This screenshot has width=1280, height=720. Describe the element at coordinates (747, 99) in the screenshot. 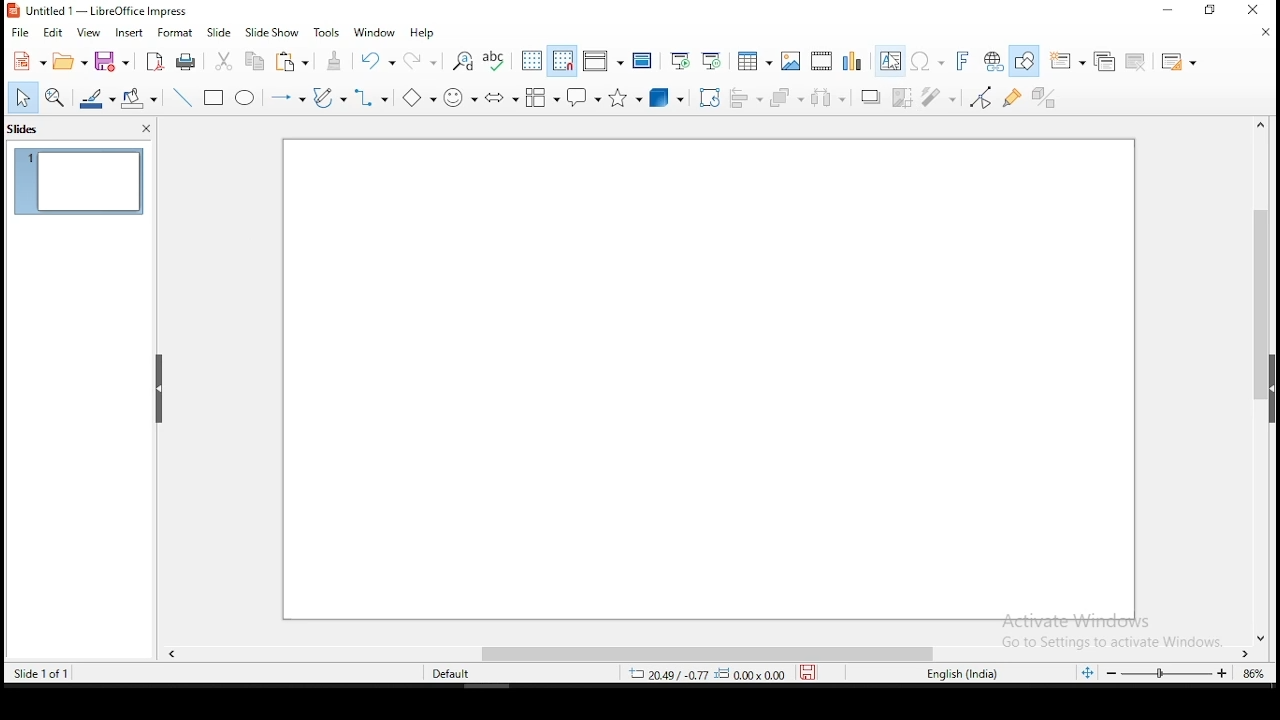

I see `align objects` at that location.